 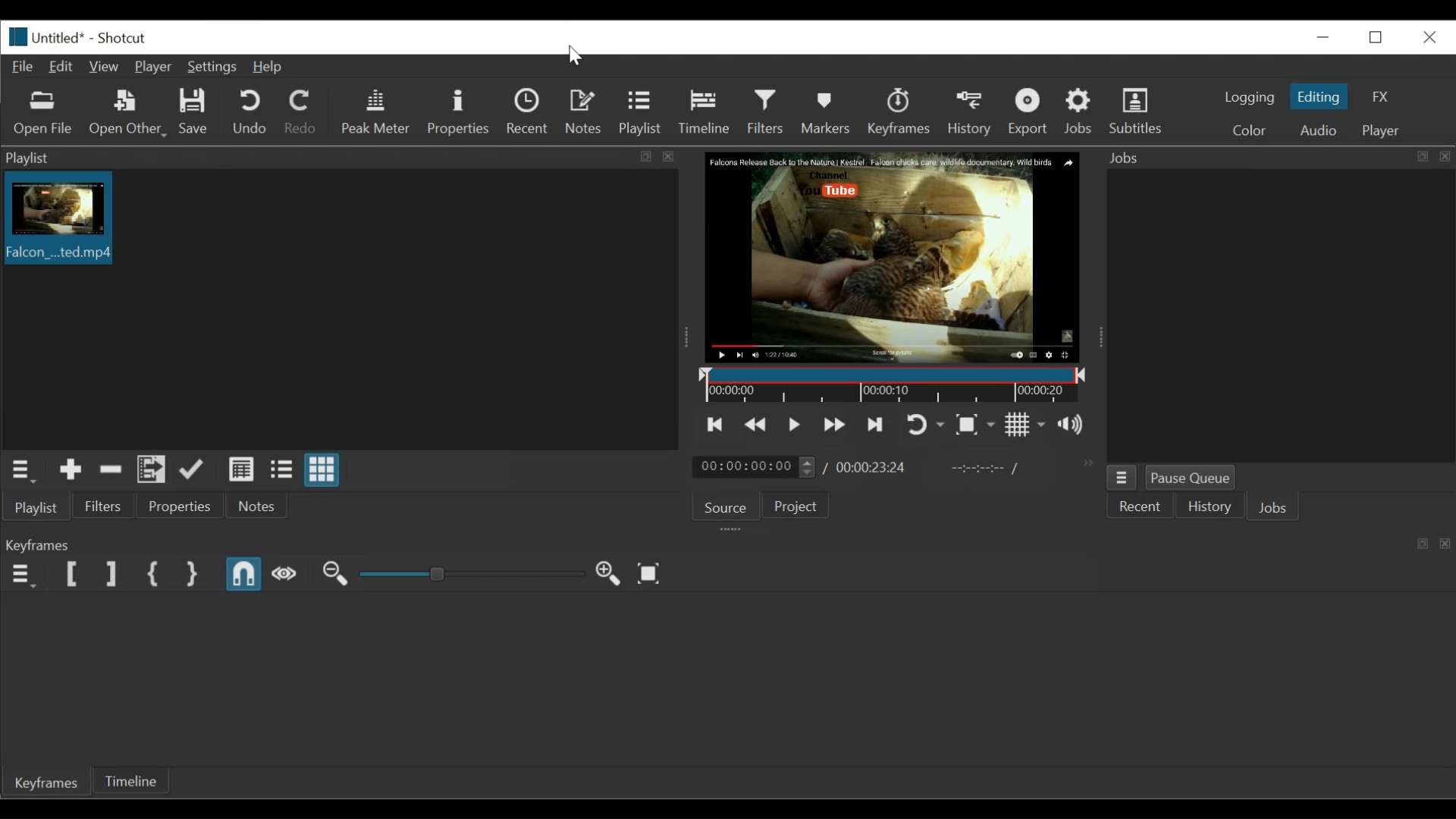 I want to click on Markers, so click(x=825, y=111).